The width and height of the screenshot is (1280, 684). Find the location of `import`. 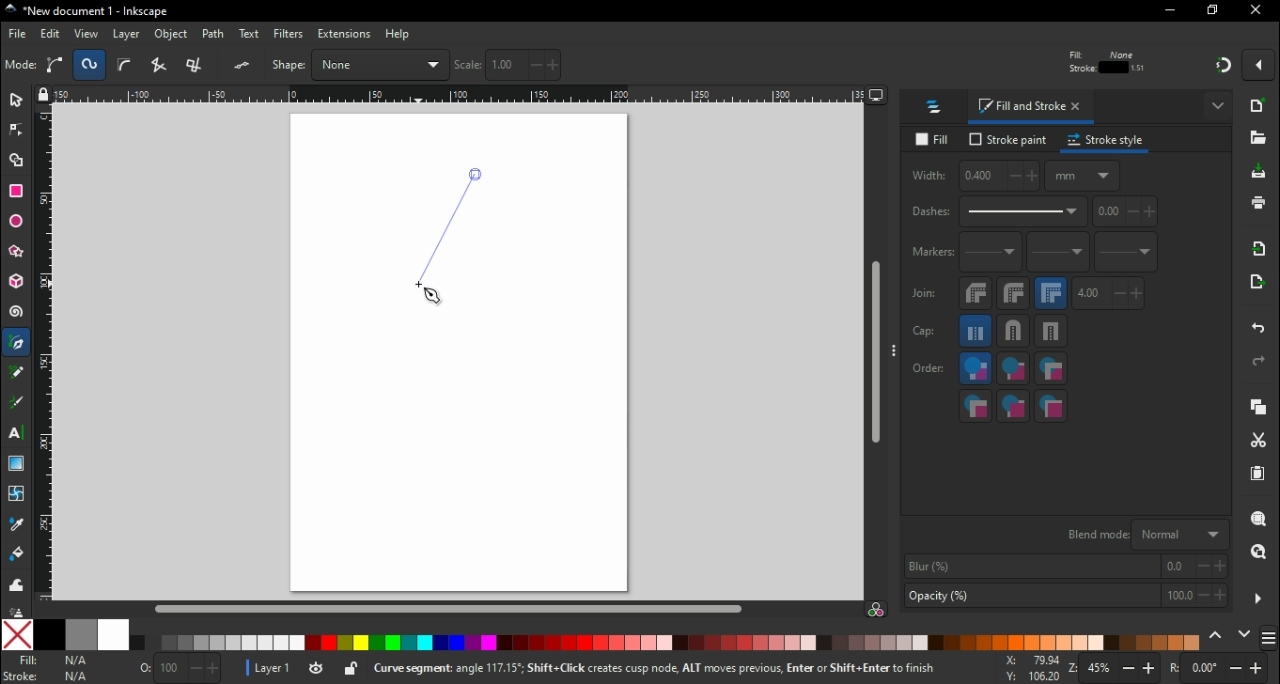

import is located at coordinates (1262, 253).